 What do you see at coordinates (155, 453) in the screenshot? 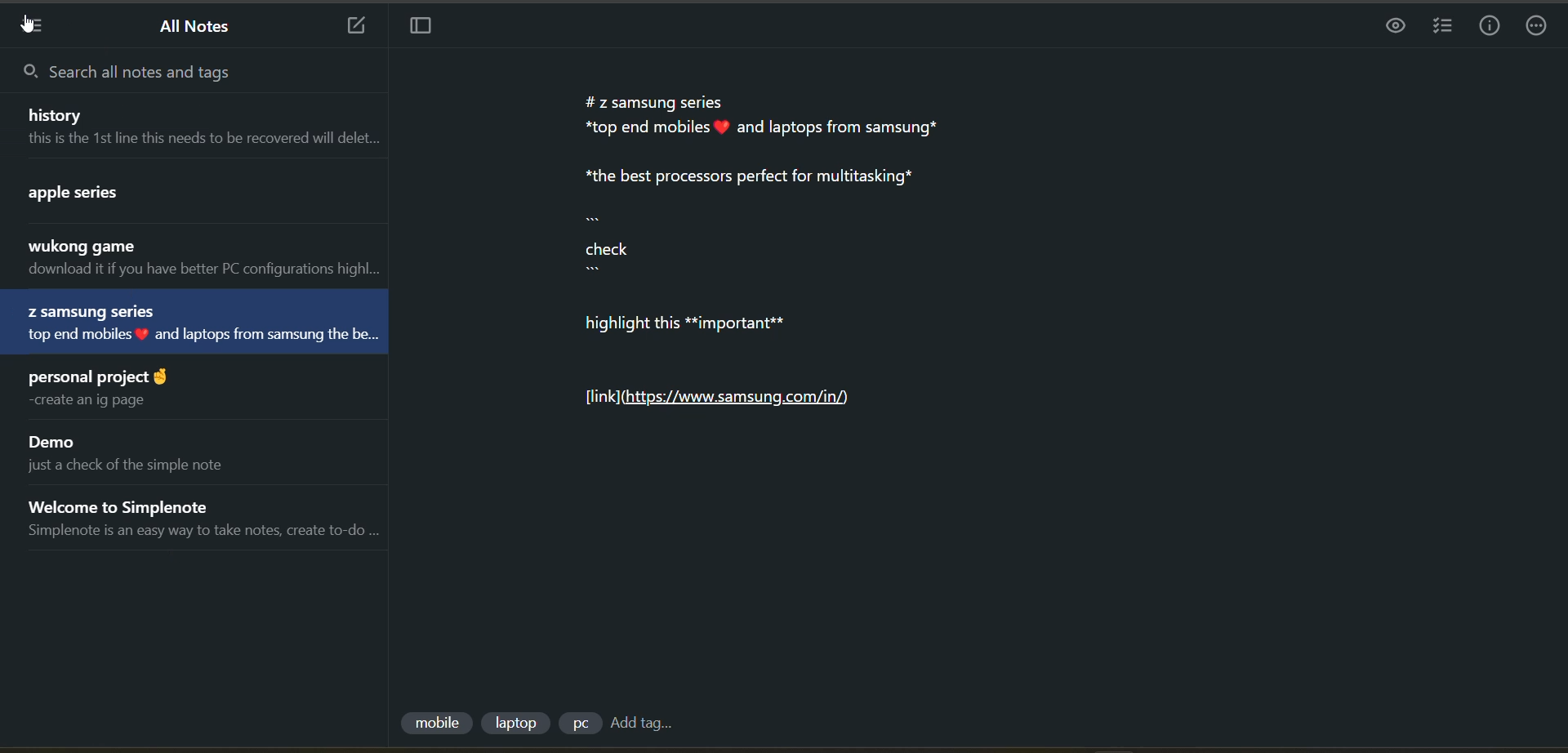
I see `note title and preview` at bounding box center [155, 453].